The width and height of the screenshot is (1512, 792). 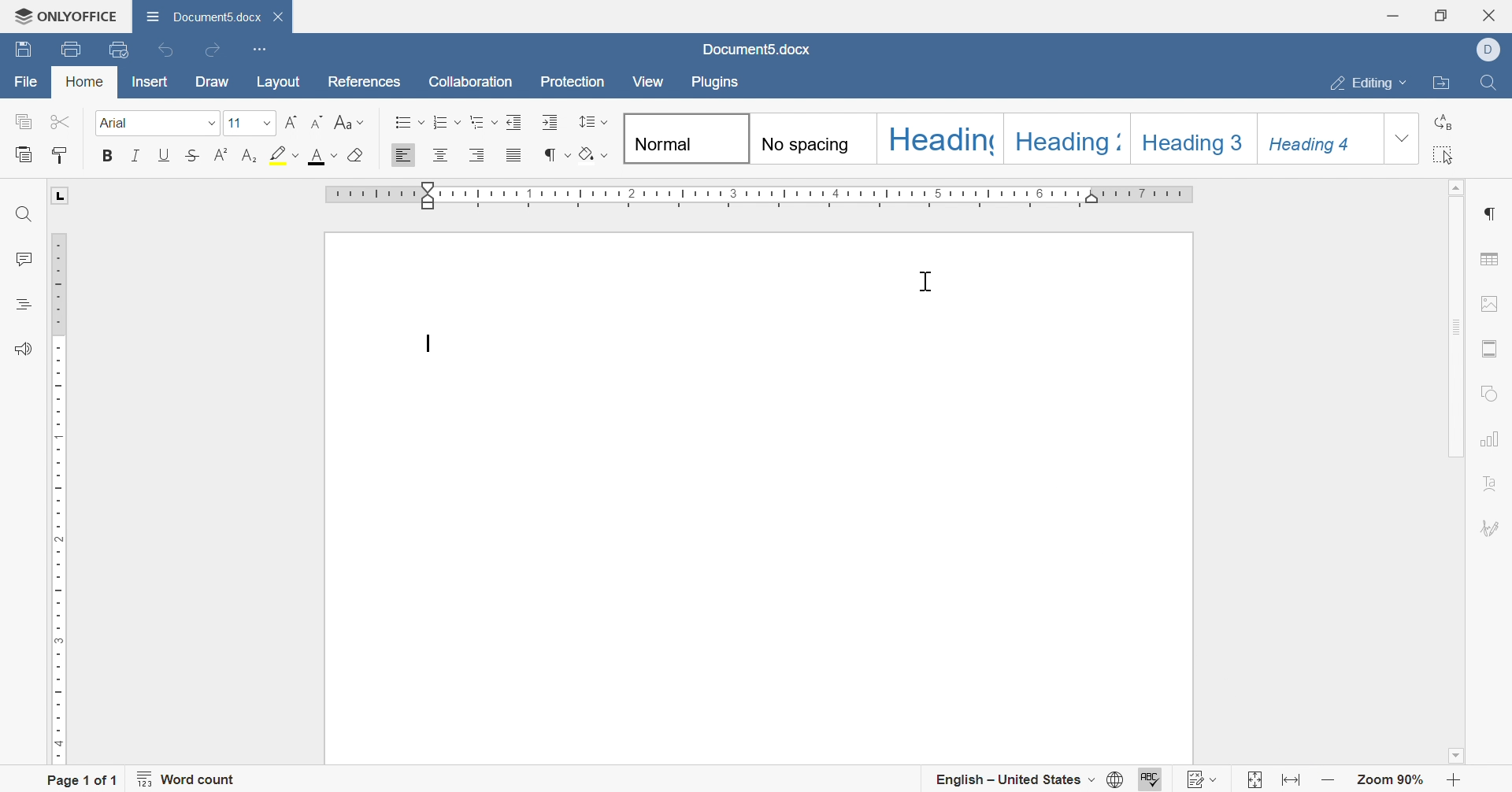 What do you see at coordinates (516, 124) in the screenshot?
I see `decrease indent` at bounding box center [516, 124].